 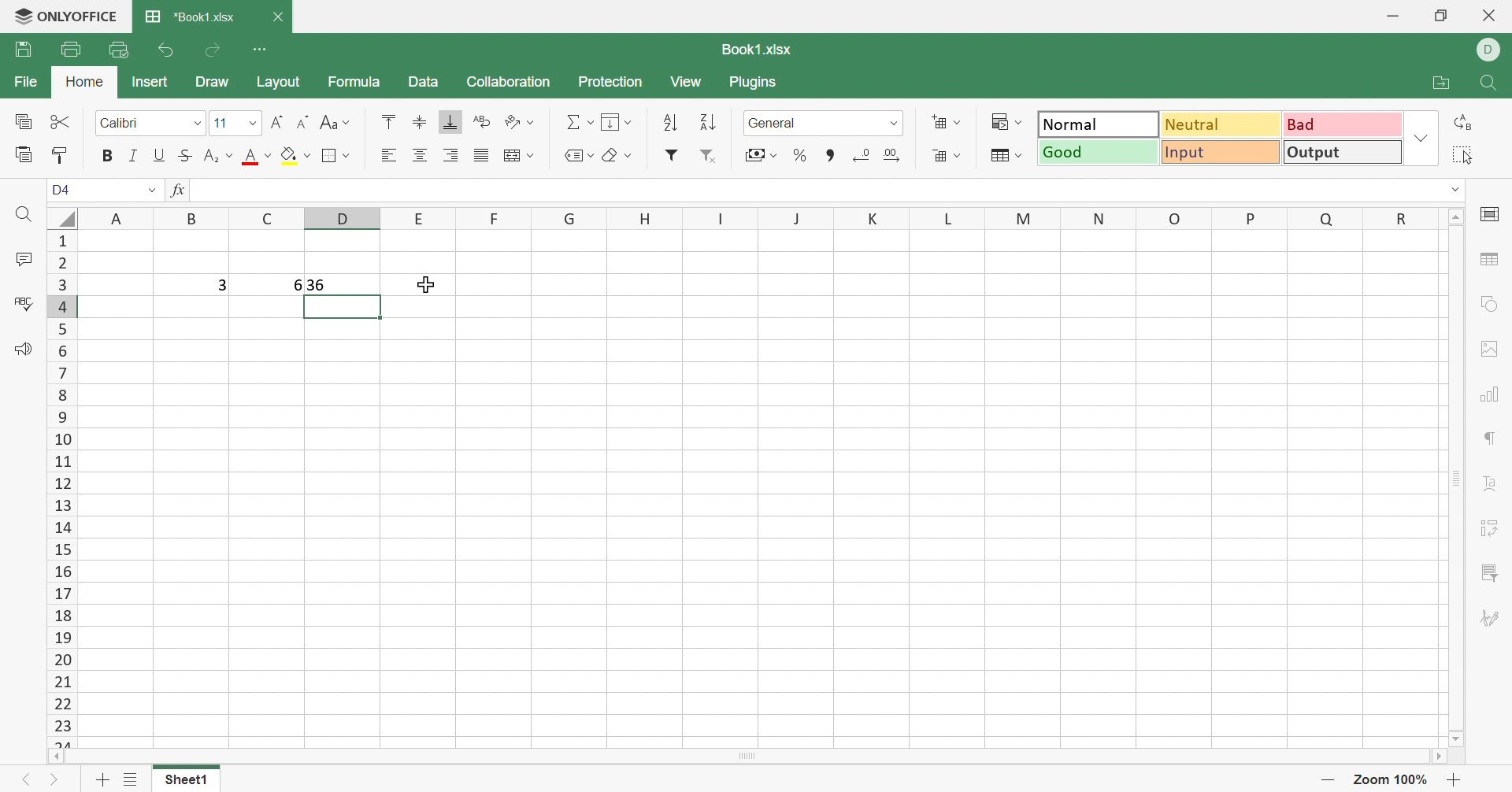 What do you see at coordinates (1492, 350) in the screenshot?
I see `Image settings` at bounding box center [1492, 350].